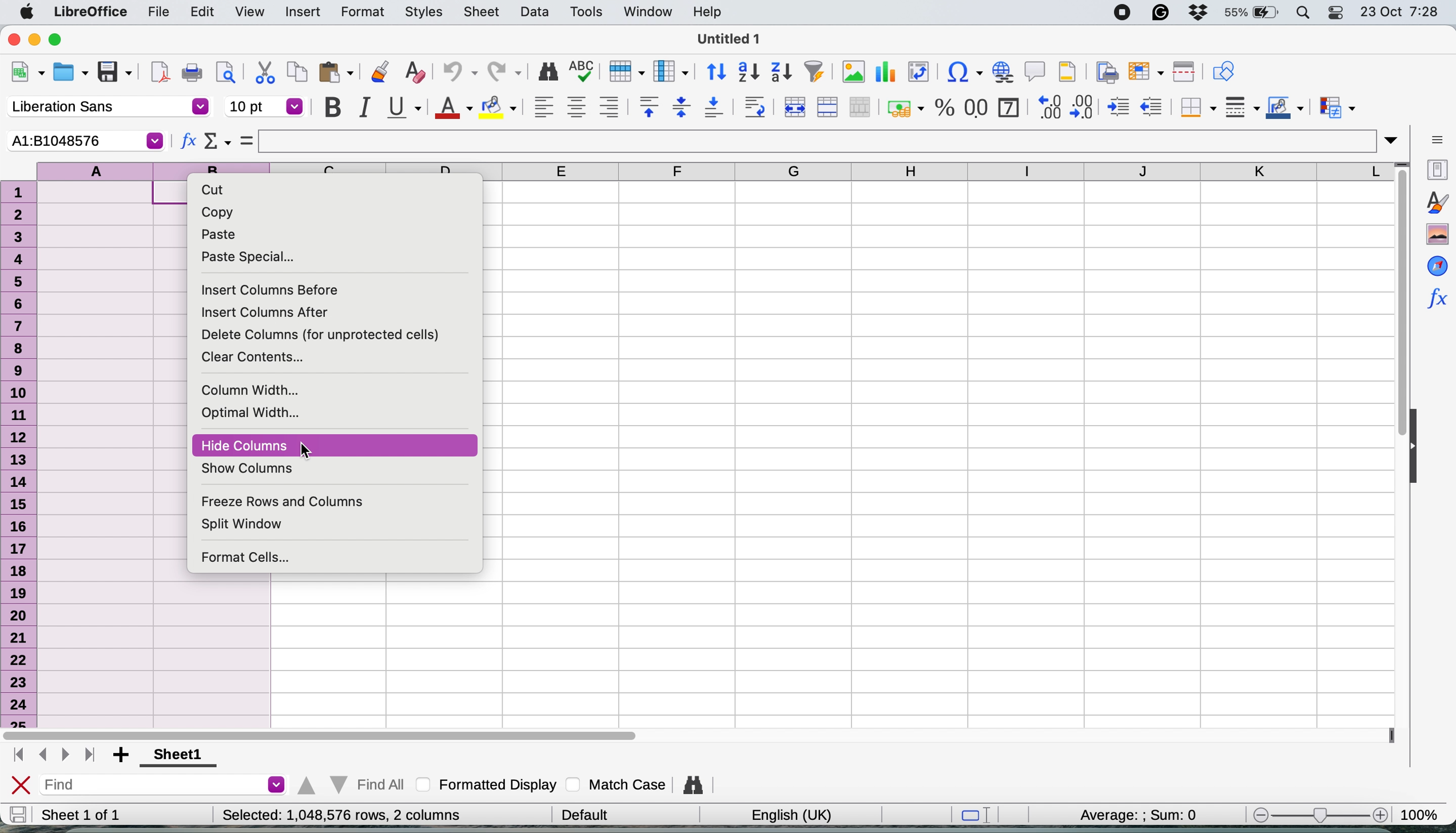 This screenshot has width=1456, height=833. What do you see at coordinates (977, 815) in the screenshot?
I see `standard selection` at bounding box center [977, 815].